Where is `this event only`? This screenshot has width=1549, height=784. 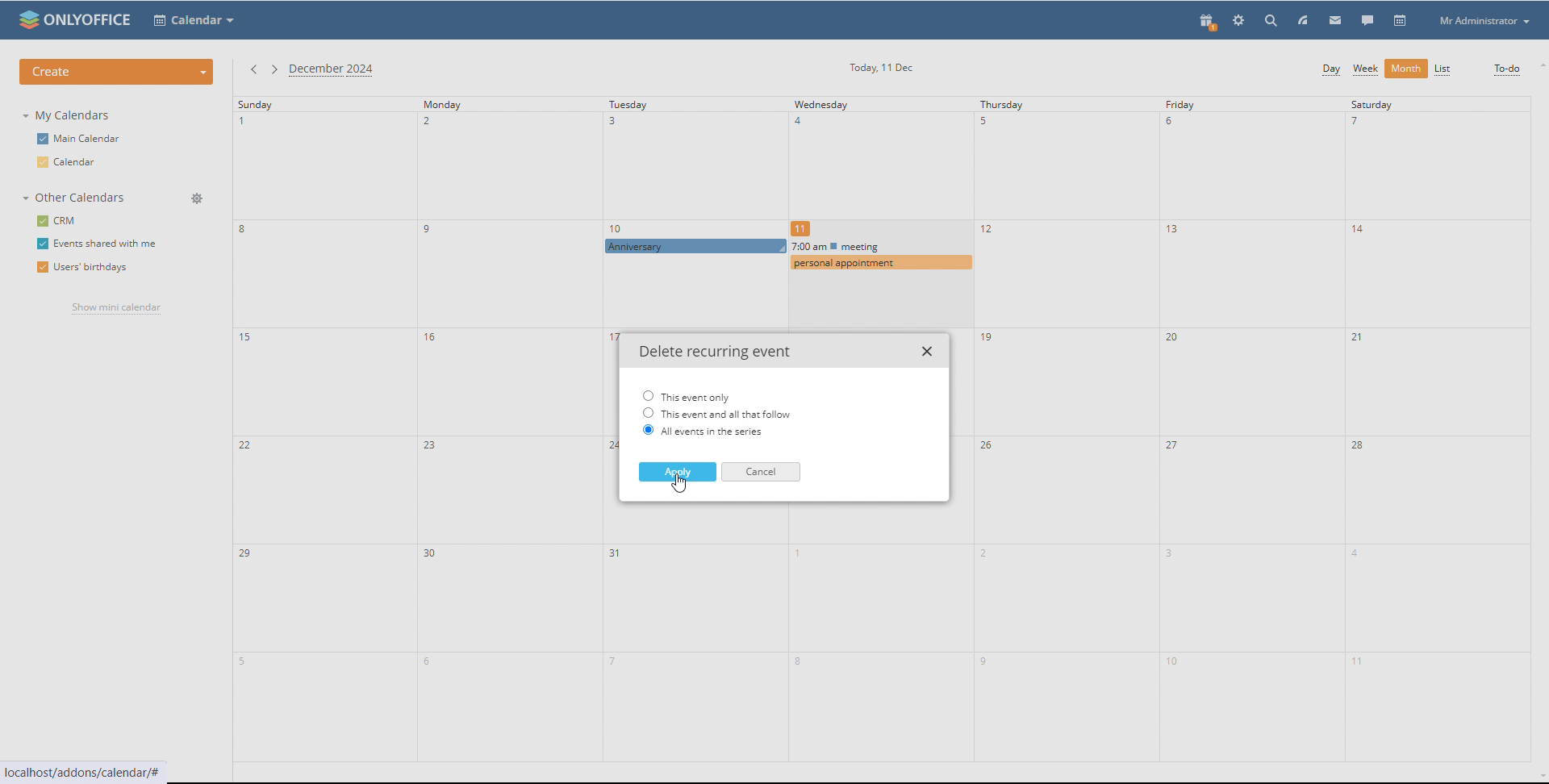
this event only is located at coordinates (687, 395).